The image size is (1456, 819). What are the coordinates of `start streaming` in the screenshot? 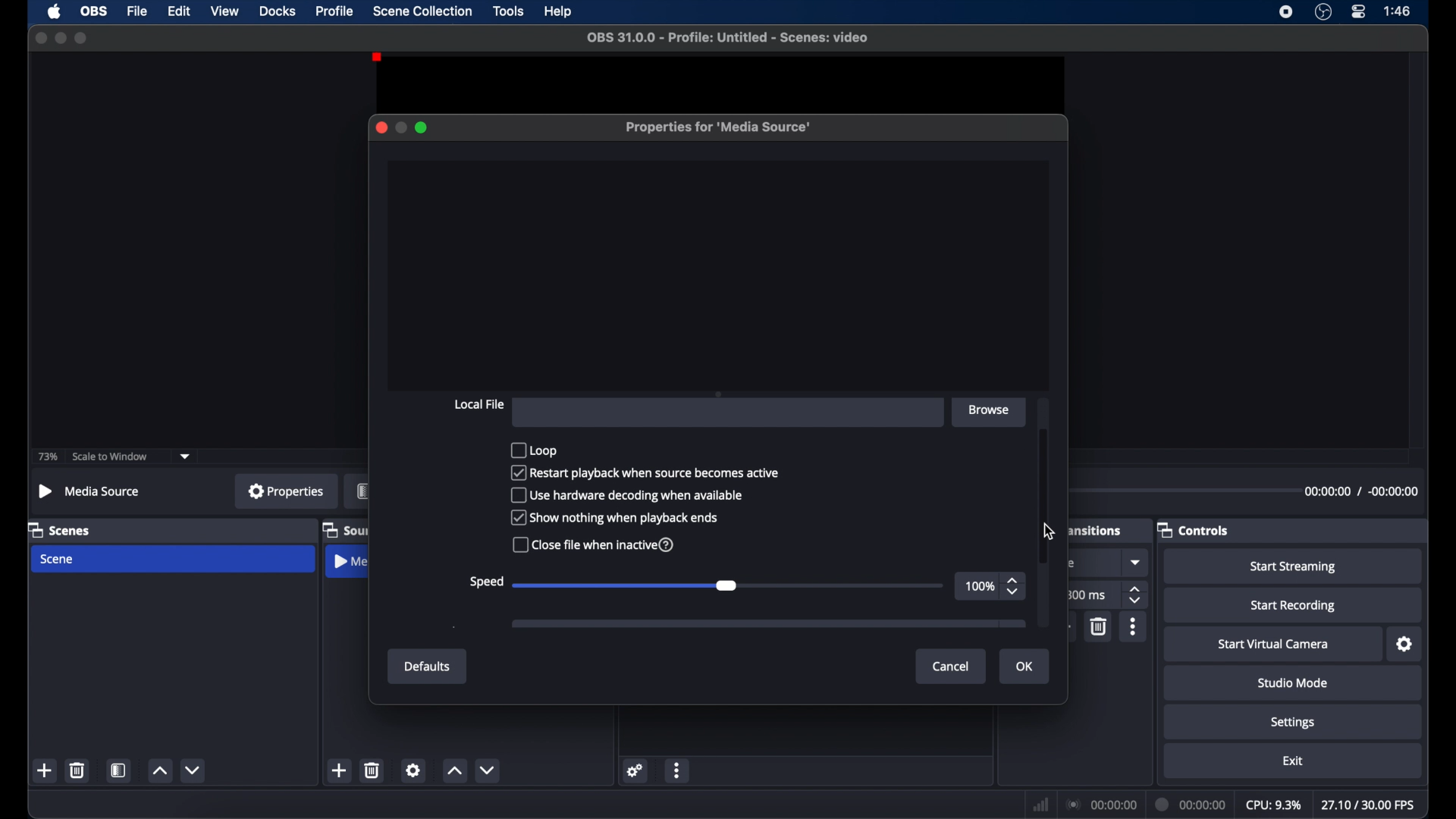 It's located at (1293, 567).